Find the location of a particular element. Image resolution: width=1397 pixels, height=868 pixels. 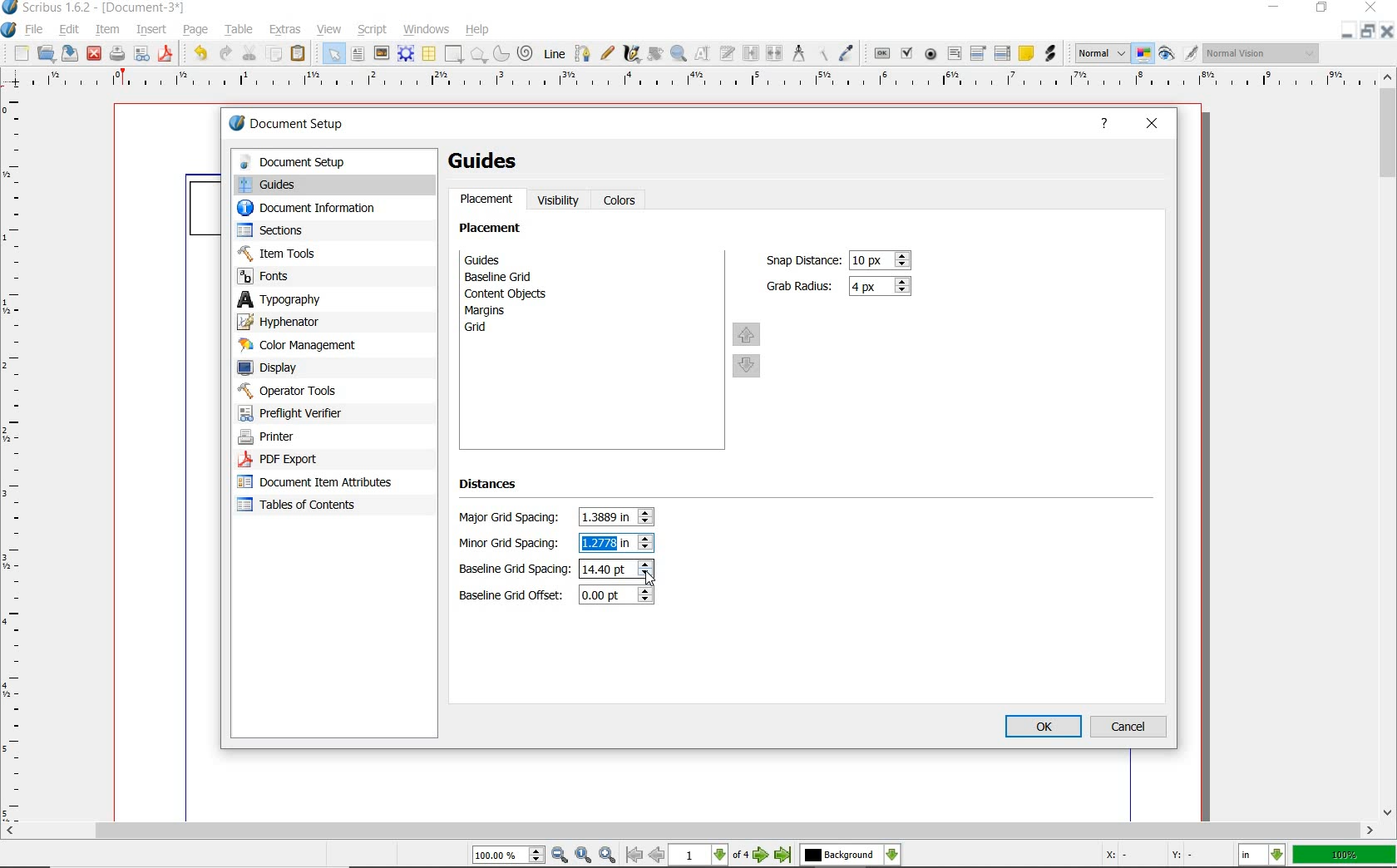

scrollbar is located at coordinates (689, 832).